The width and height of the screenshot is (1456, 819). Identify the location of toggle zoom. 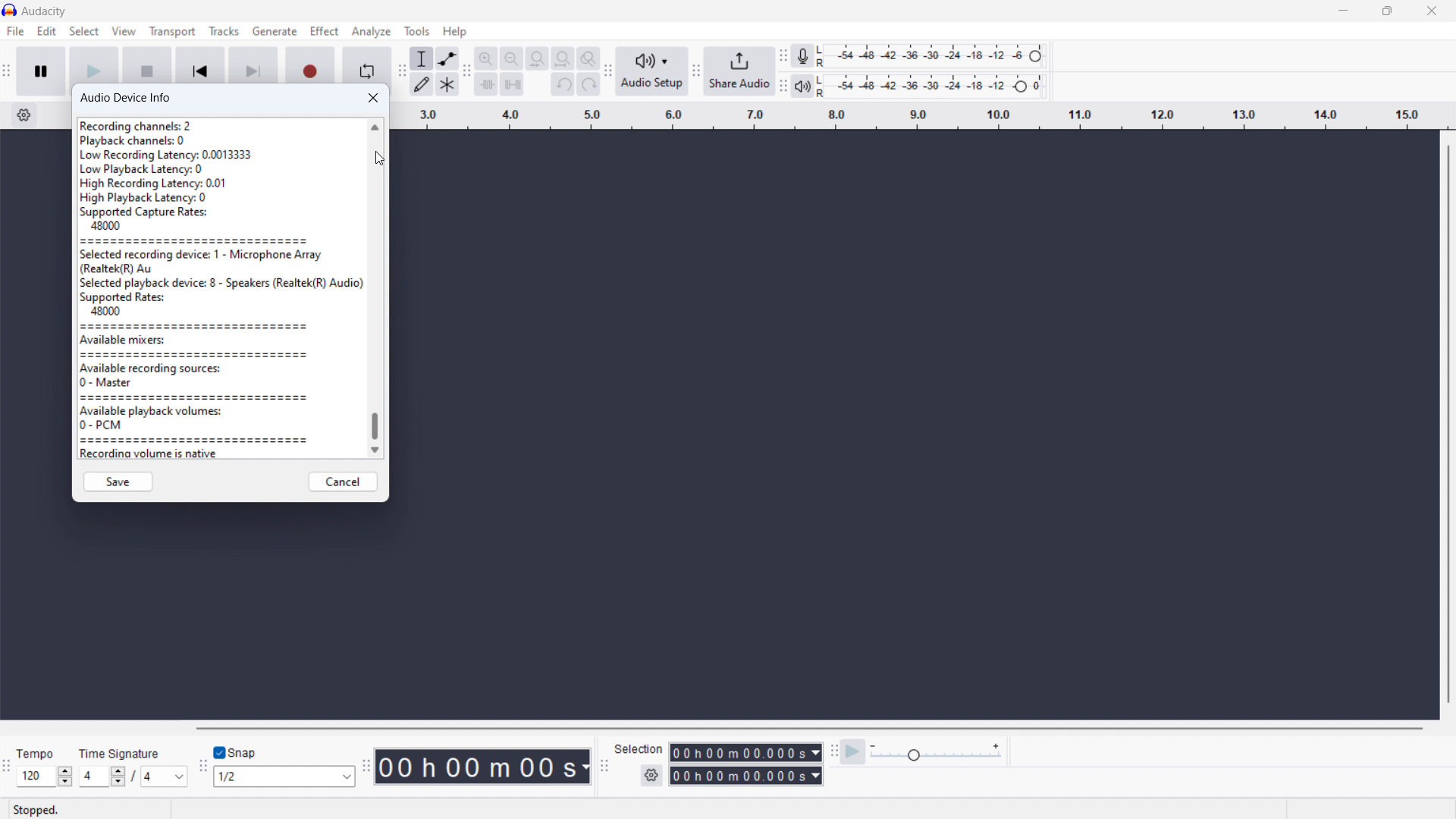
(588, 58).